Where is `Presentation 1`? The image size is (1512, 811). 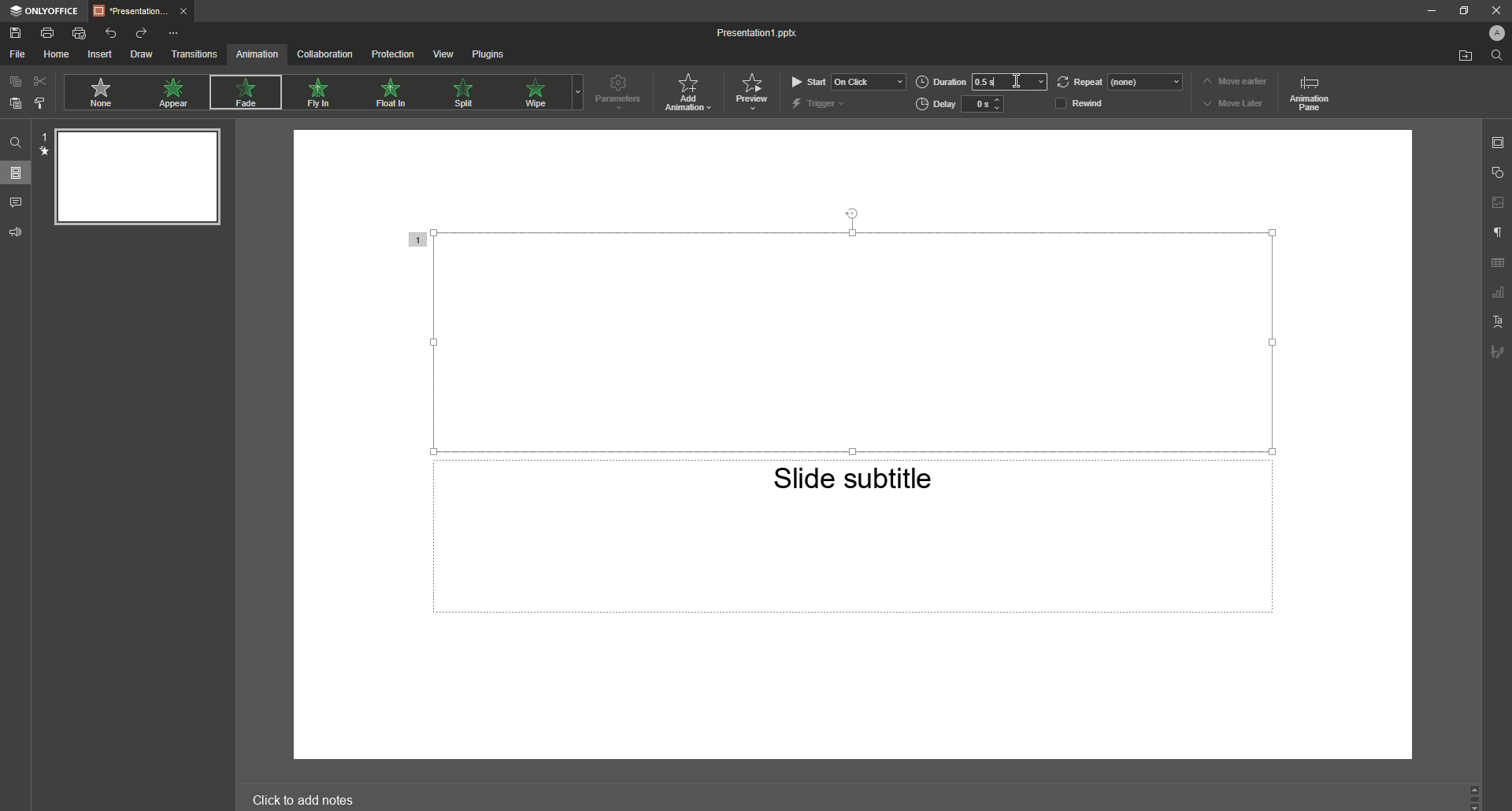 Presentation 1 is located at coordinates (758, 34).